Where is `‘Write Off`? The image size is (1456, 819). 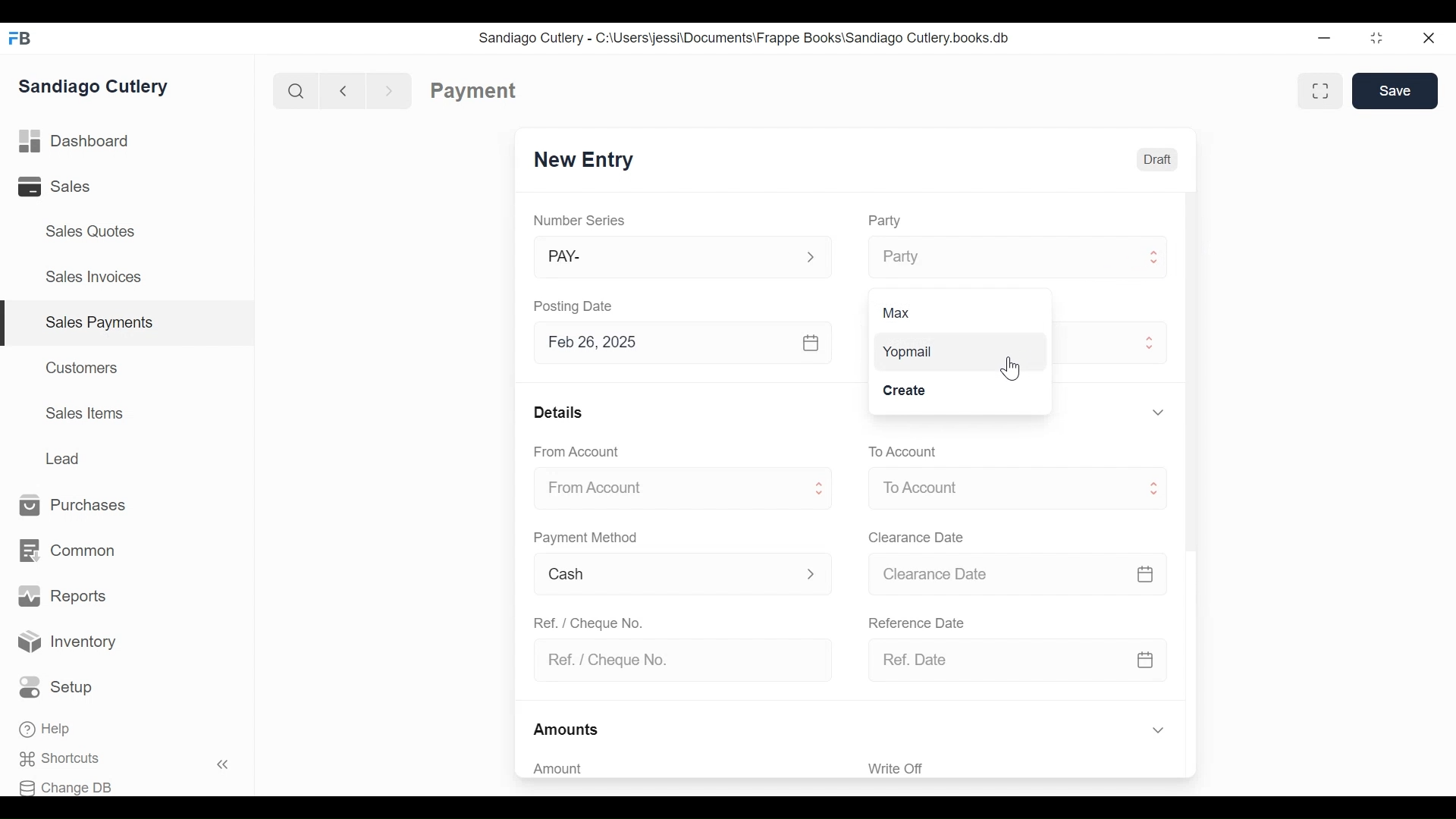 ‘Write Off is located at coordinates (1019, 768).